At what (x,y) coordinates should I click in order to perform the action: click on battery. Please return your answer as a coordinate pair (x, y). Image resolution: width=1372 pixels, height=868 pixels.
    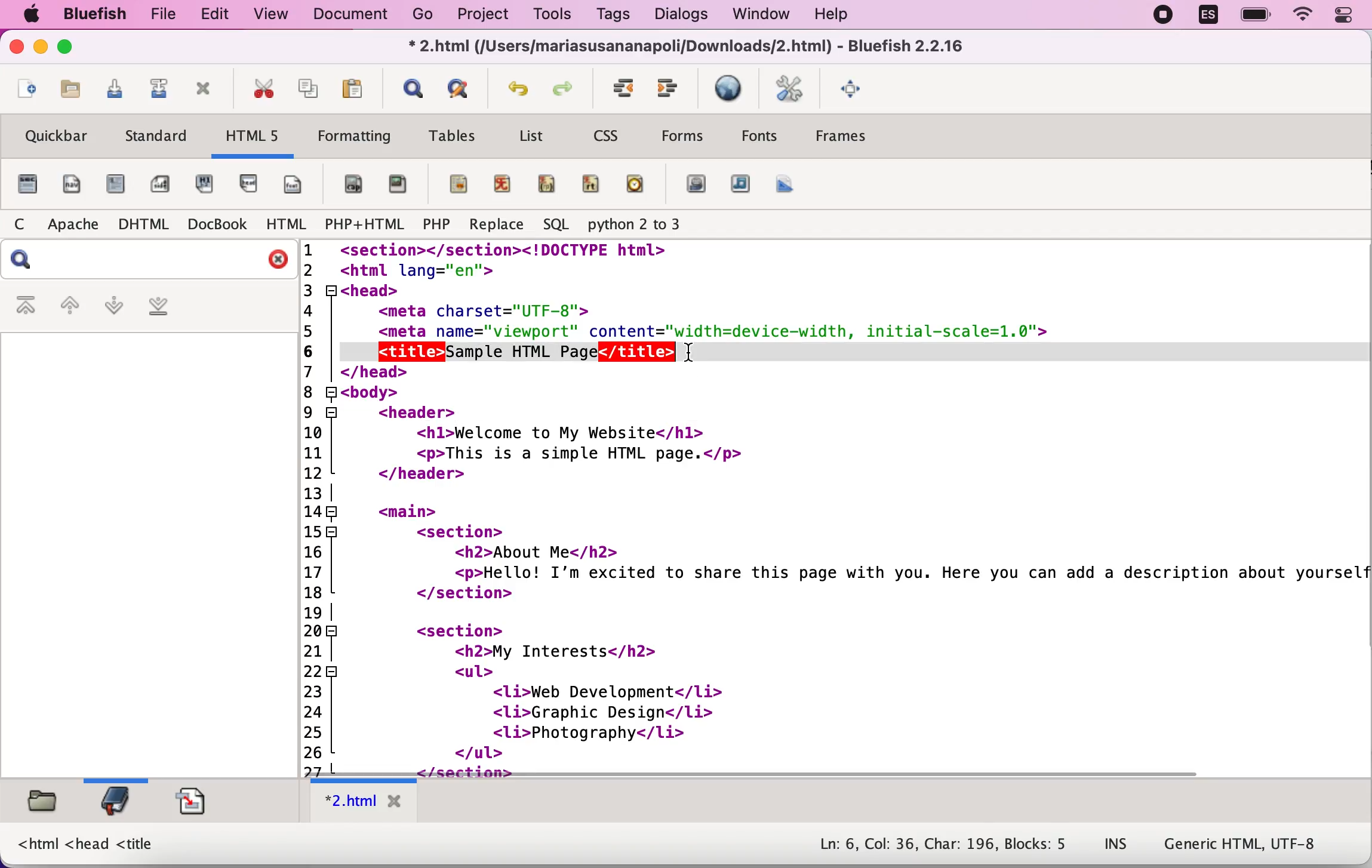
    Looking at the image, I should click on (1256, 16).